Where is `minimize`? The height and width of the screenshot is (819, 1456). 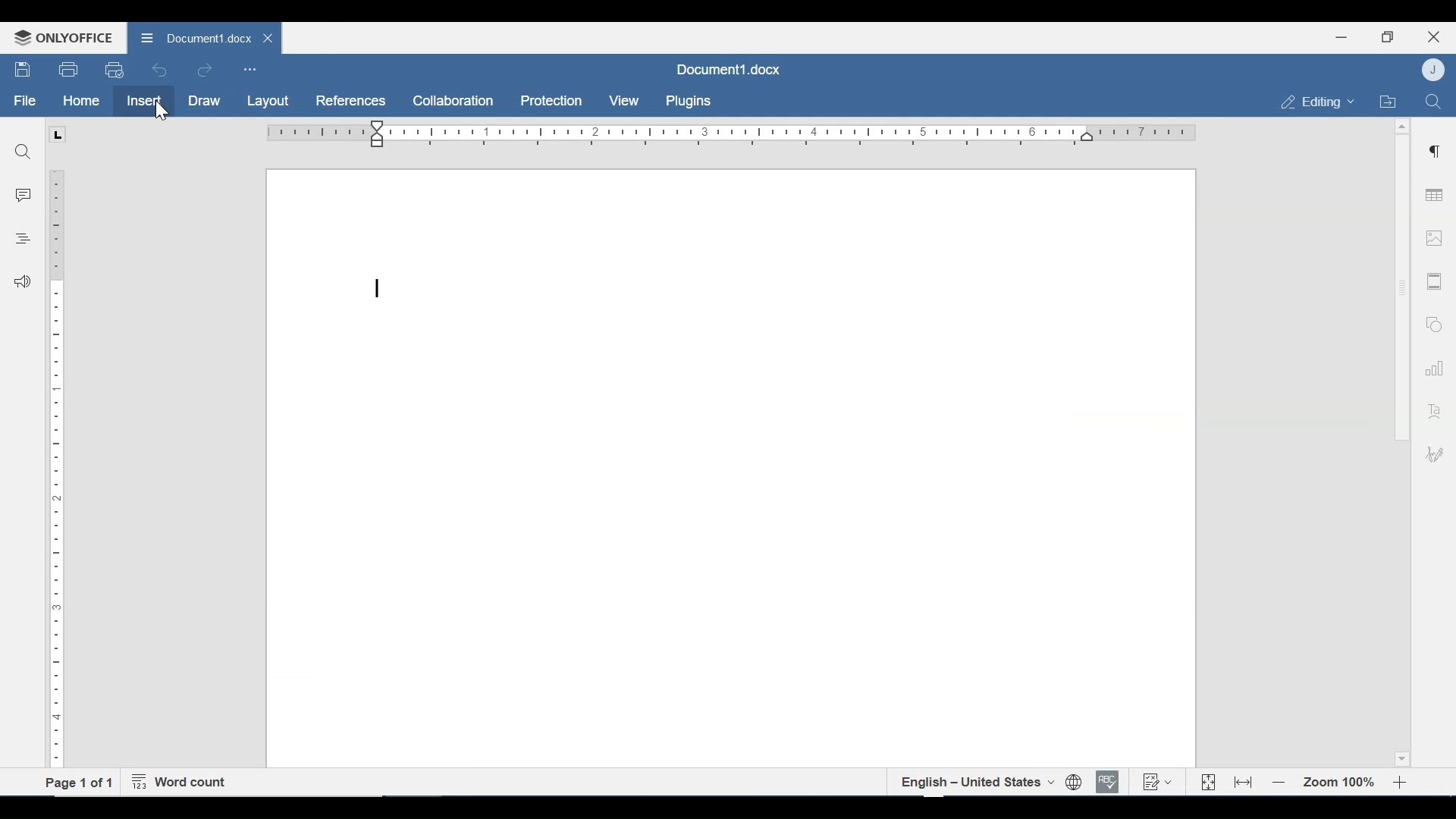
minimize is located at coordinates (1341, 36).